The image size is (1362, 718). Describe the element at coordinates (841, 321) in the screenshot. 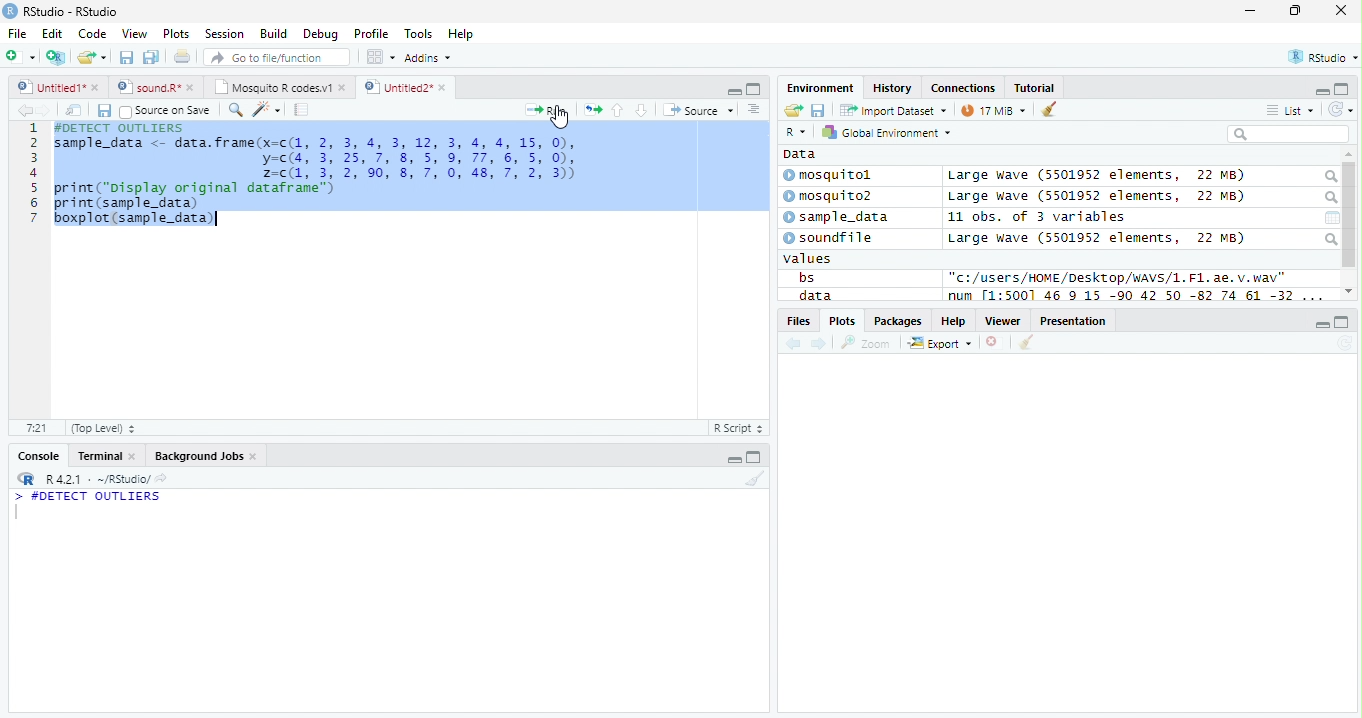

I see `Plots` at that location.